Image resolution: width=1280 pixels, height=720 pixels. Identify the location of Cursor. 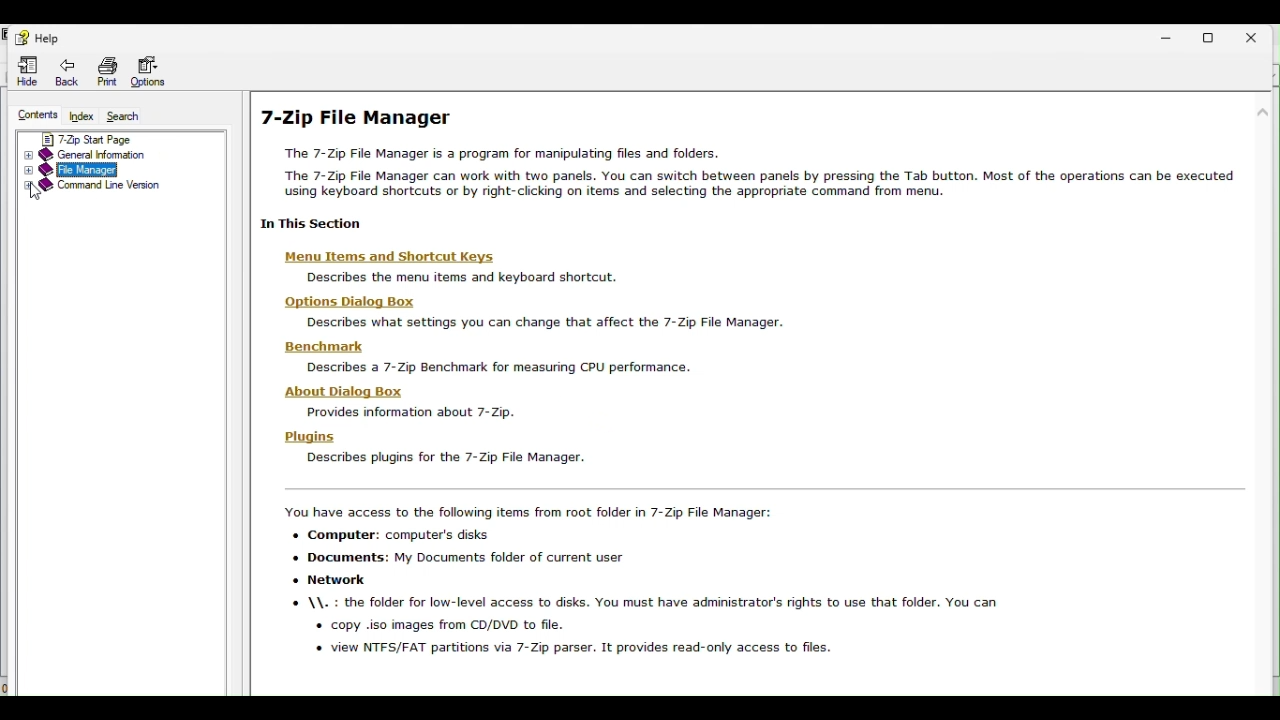
(37, 192).